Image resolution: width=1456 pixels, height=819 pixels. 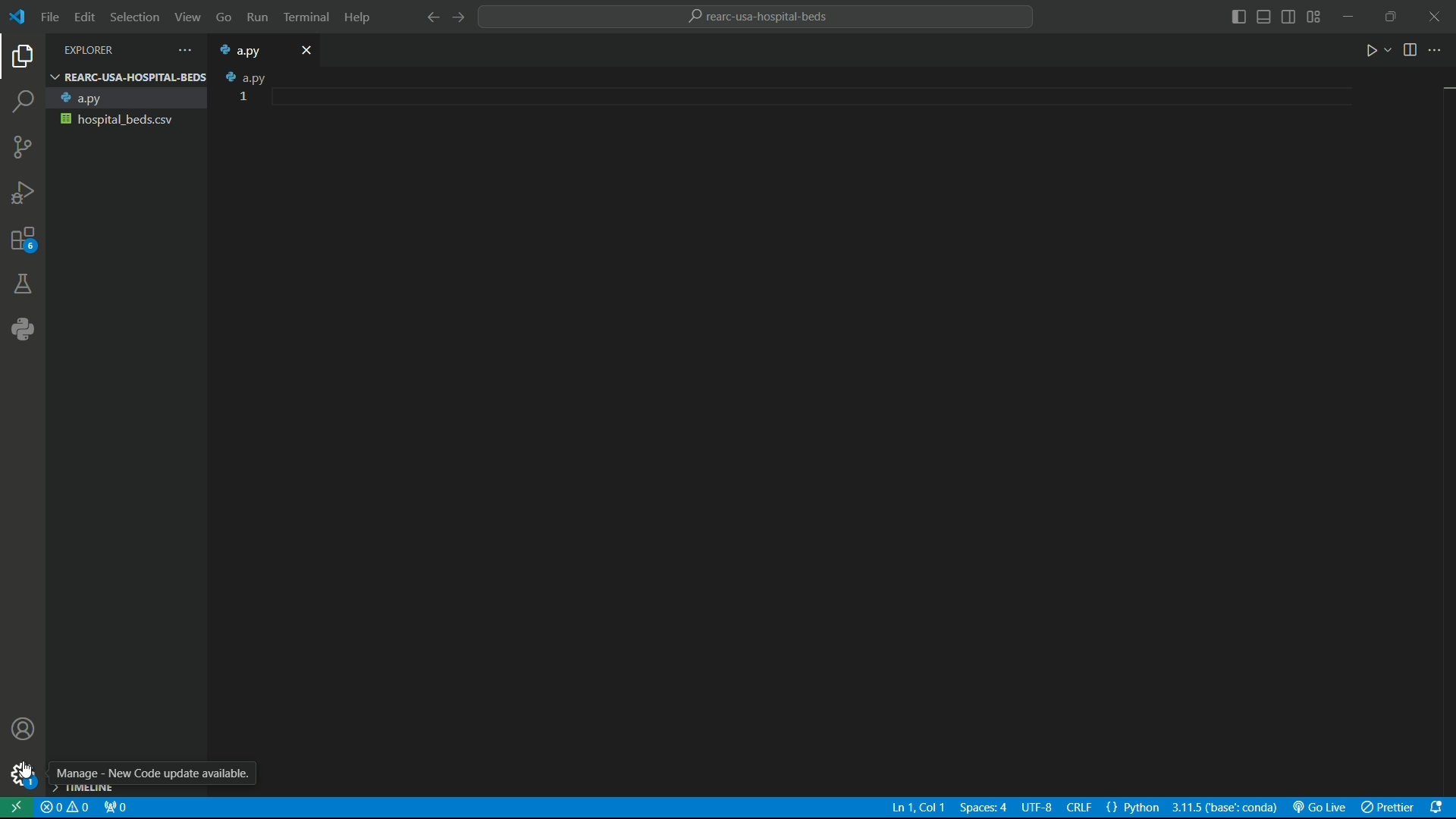 I want to click on Prettier, so click(x=1387, y=808).